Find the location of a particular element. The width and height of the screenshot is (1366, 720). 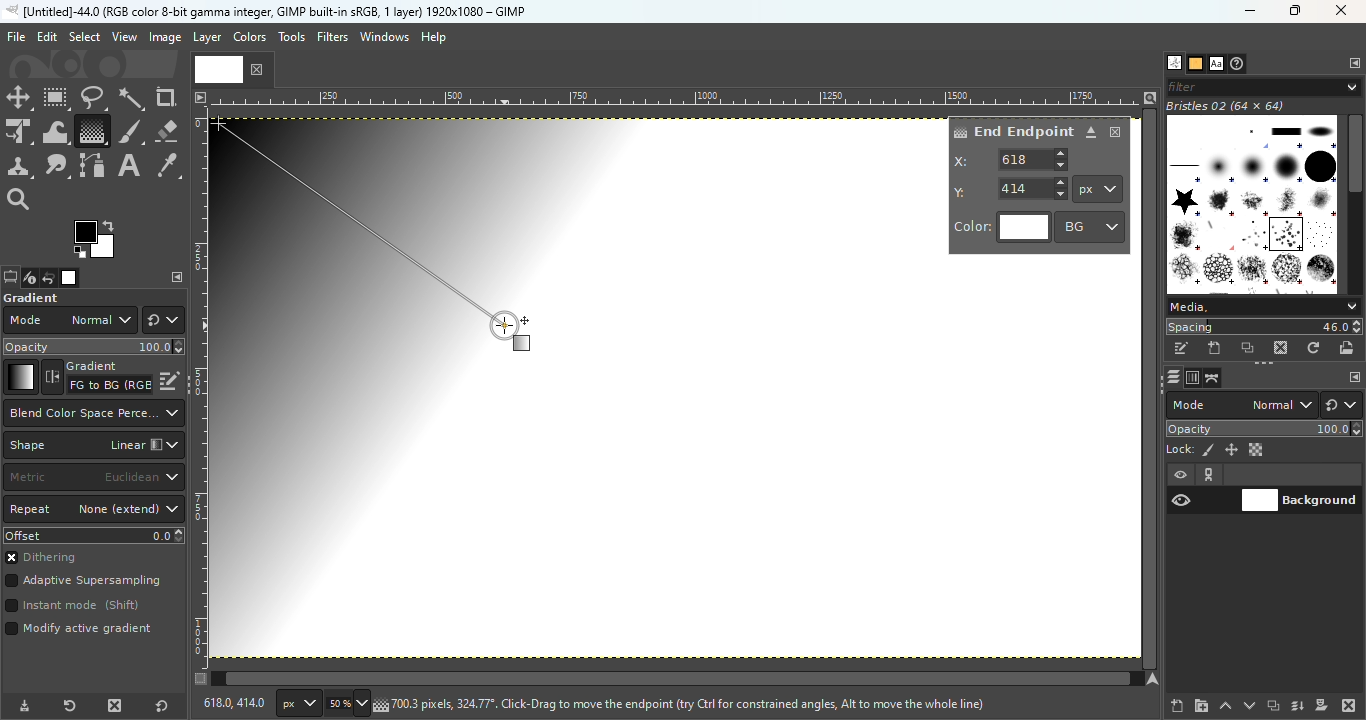

Switch to another group of modes is located at coordinates (163, 320).